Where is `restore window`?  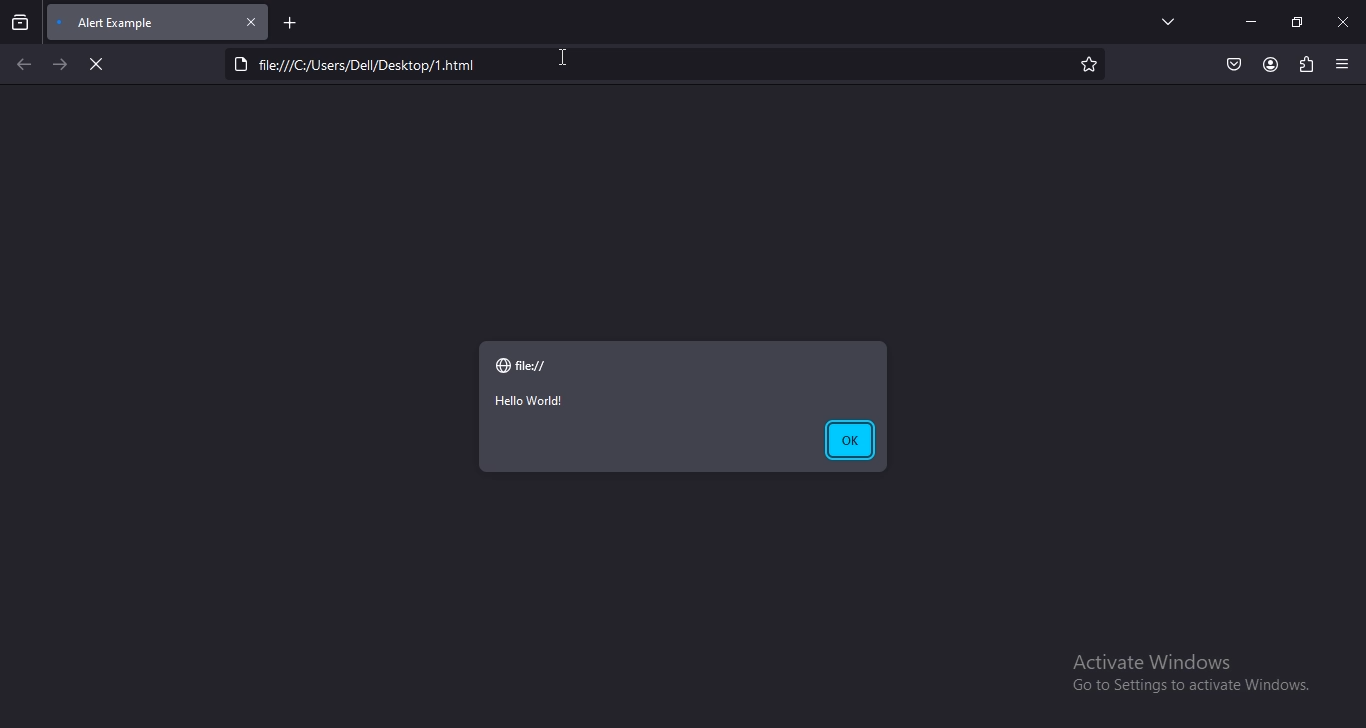 restore window is located at coordinates (1298, 23).